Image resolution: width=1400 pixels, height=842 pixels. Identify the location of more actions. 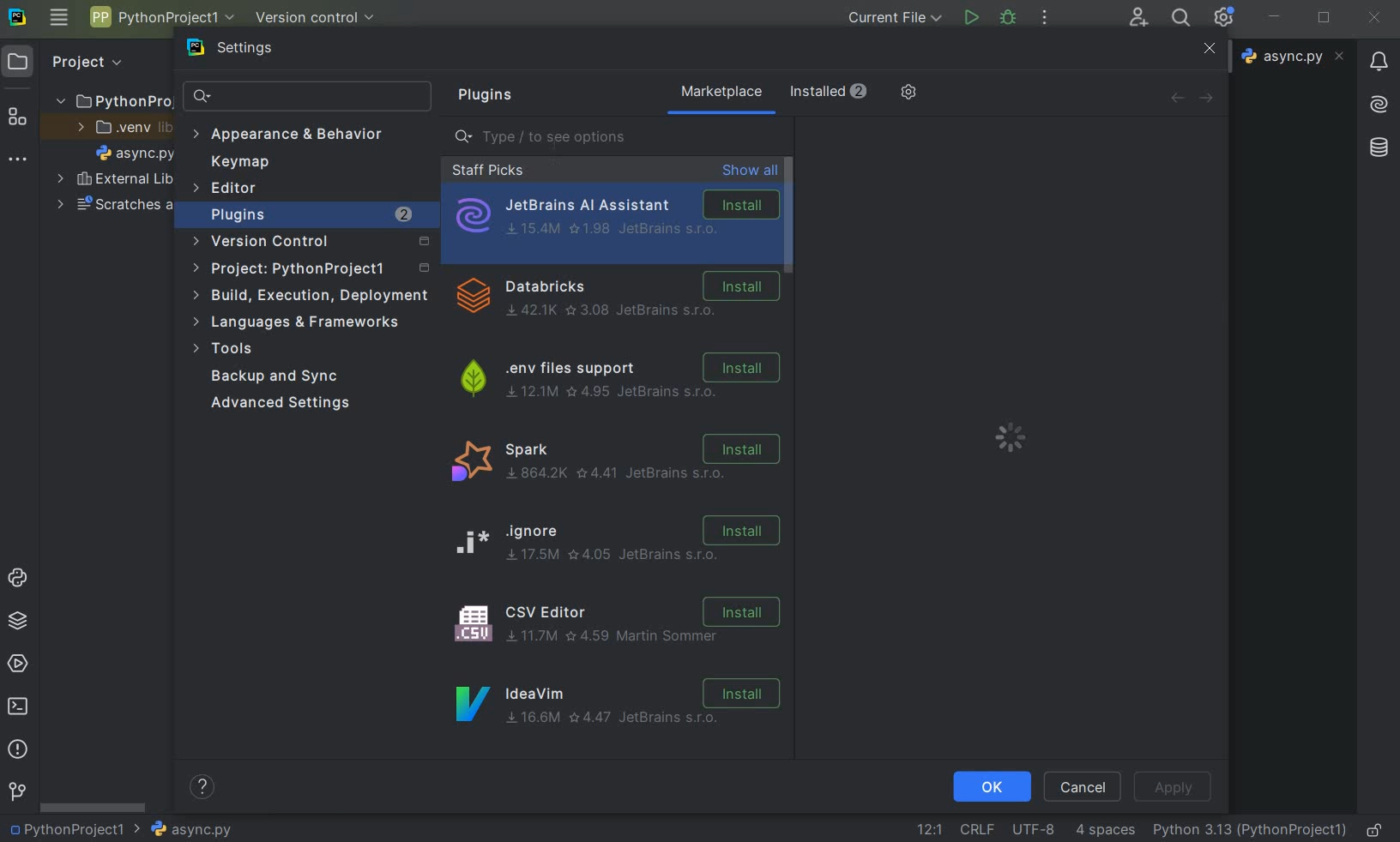
(1043, 19).